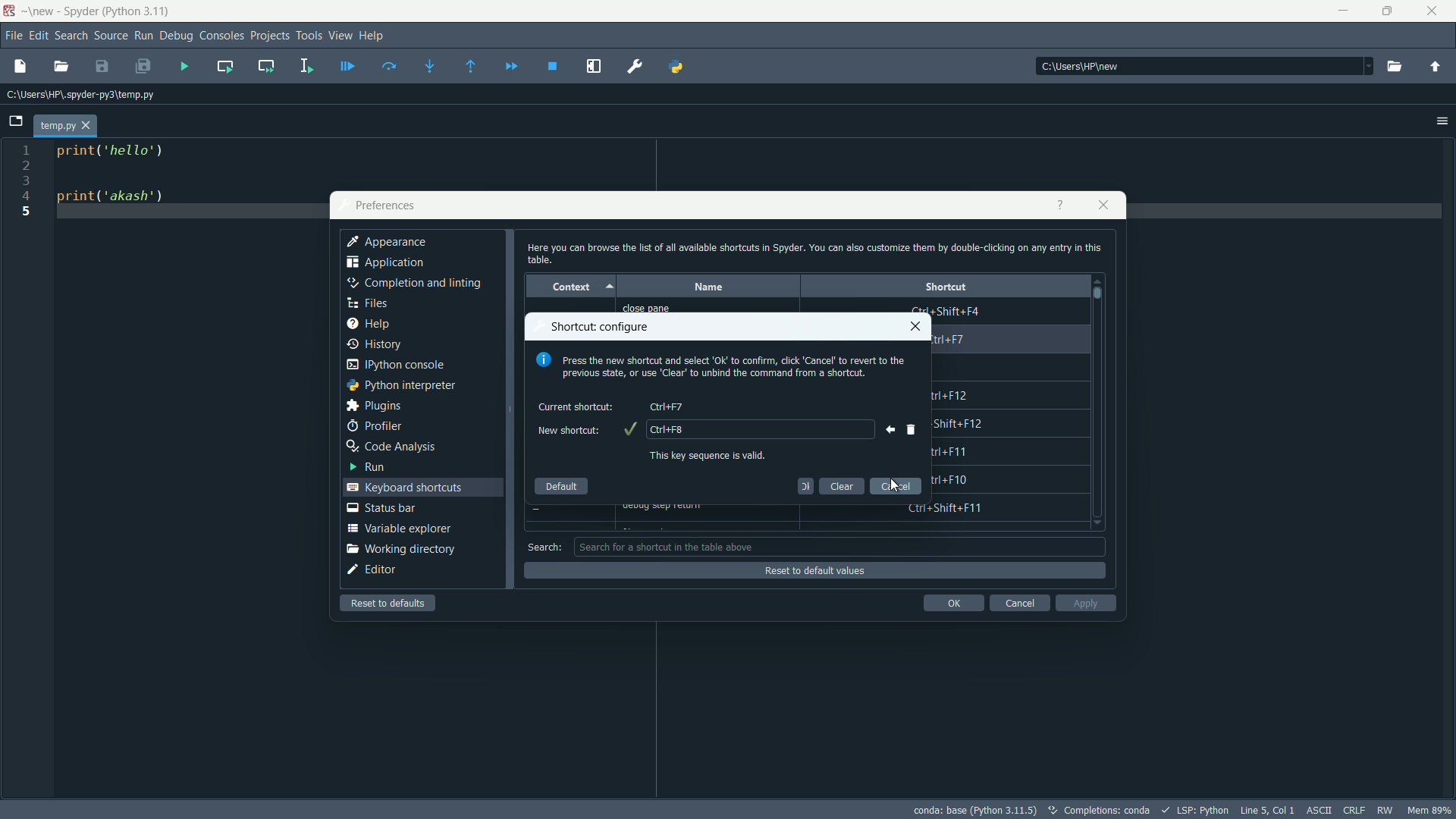  I want to click on run, so click(365, 466).